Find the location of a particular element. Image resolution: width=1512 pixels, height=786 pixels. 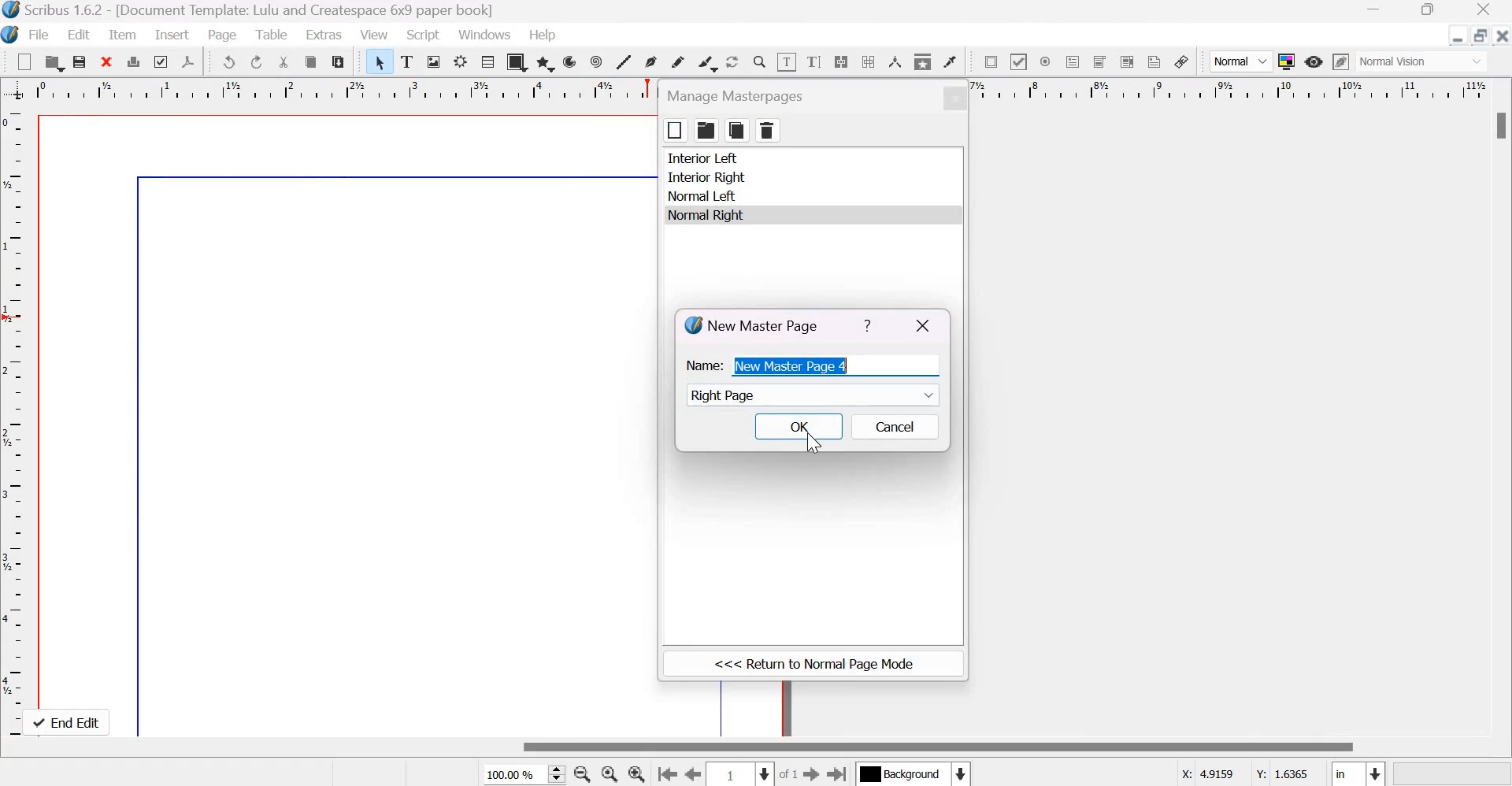

Windows is located at coordinates (486, 33).